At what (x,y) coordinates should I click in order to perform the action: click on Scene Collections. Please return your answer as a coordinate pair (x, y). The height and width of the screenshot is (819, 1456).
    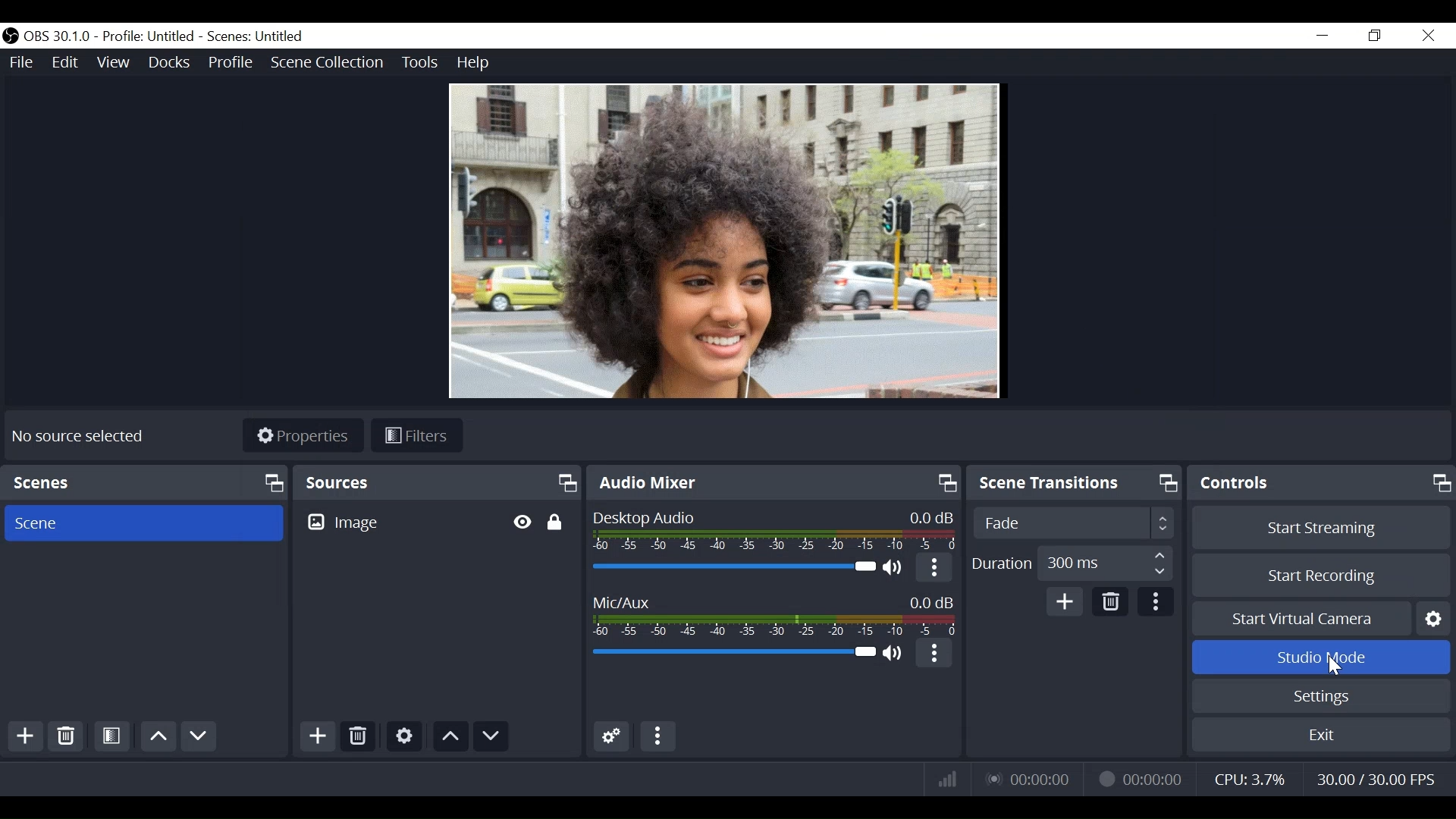
    Looking at the image, I should click on (327, 64).